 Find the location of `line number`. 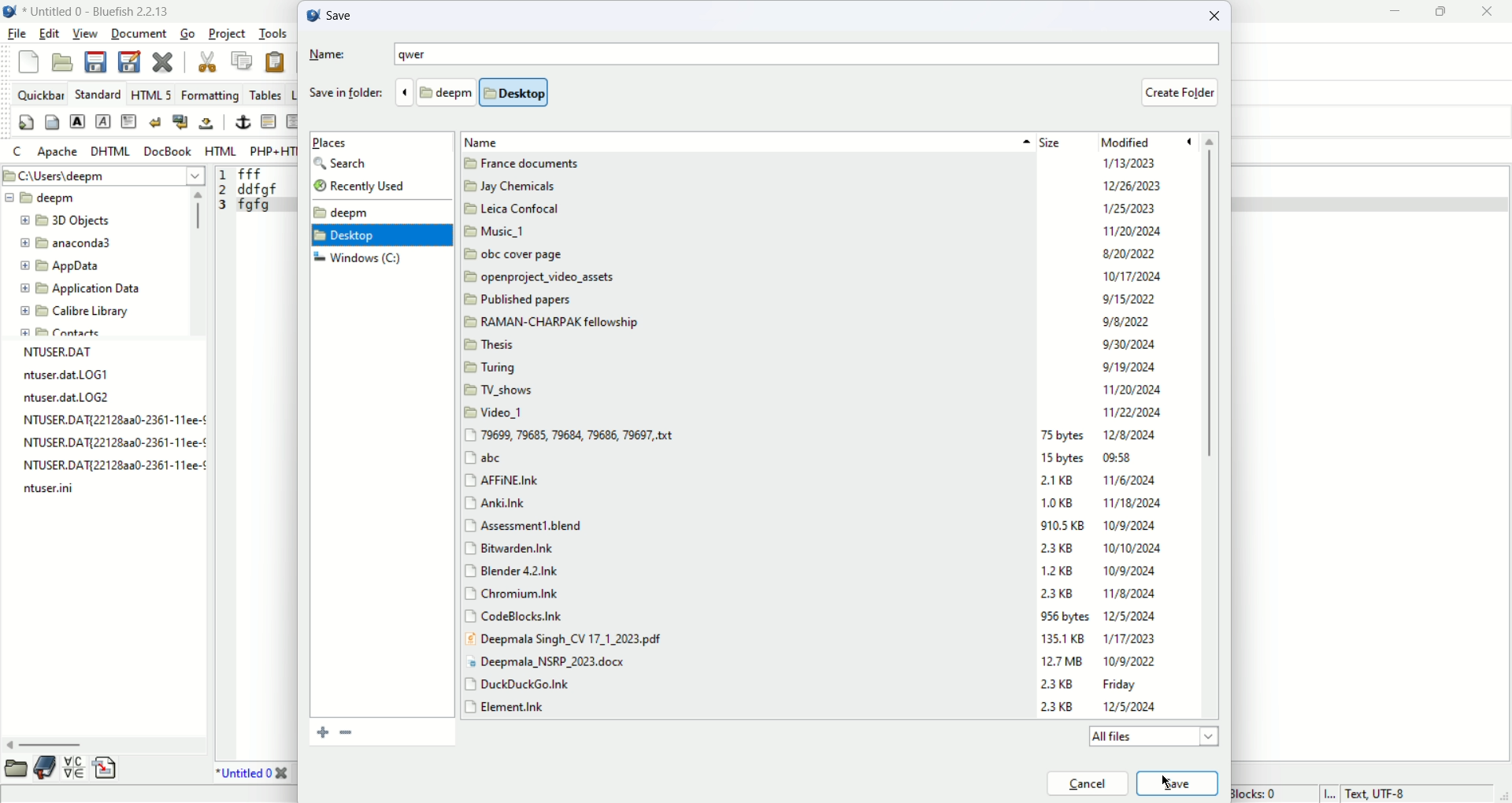

line number is located at coordinates (222, 193).